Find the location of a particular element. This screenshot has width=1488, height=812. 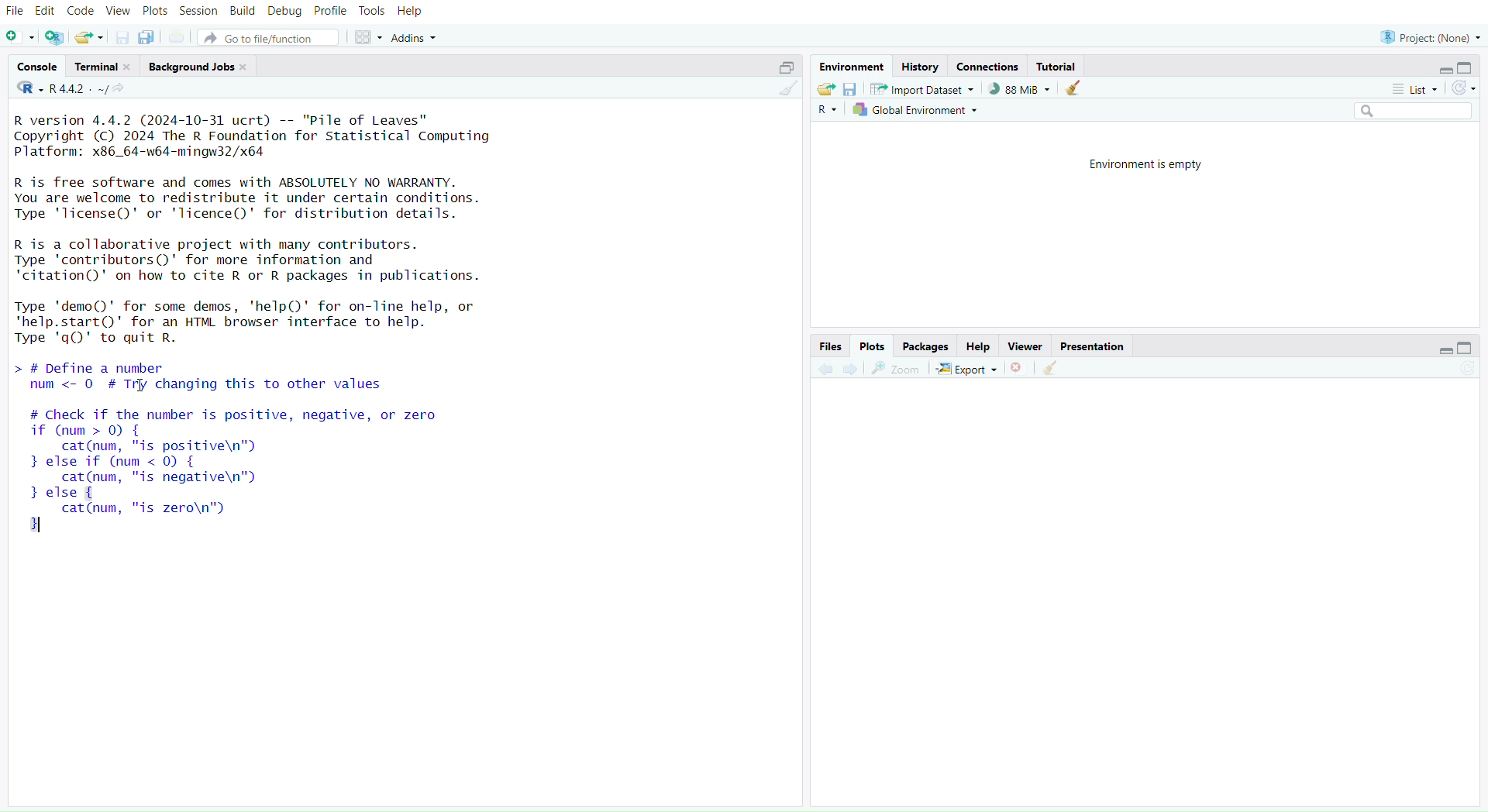

clear objects is located at coordinates (1075, 90).